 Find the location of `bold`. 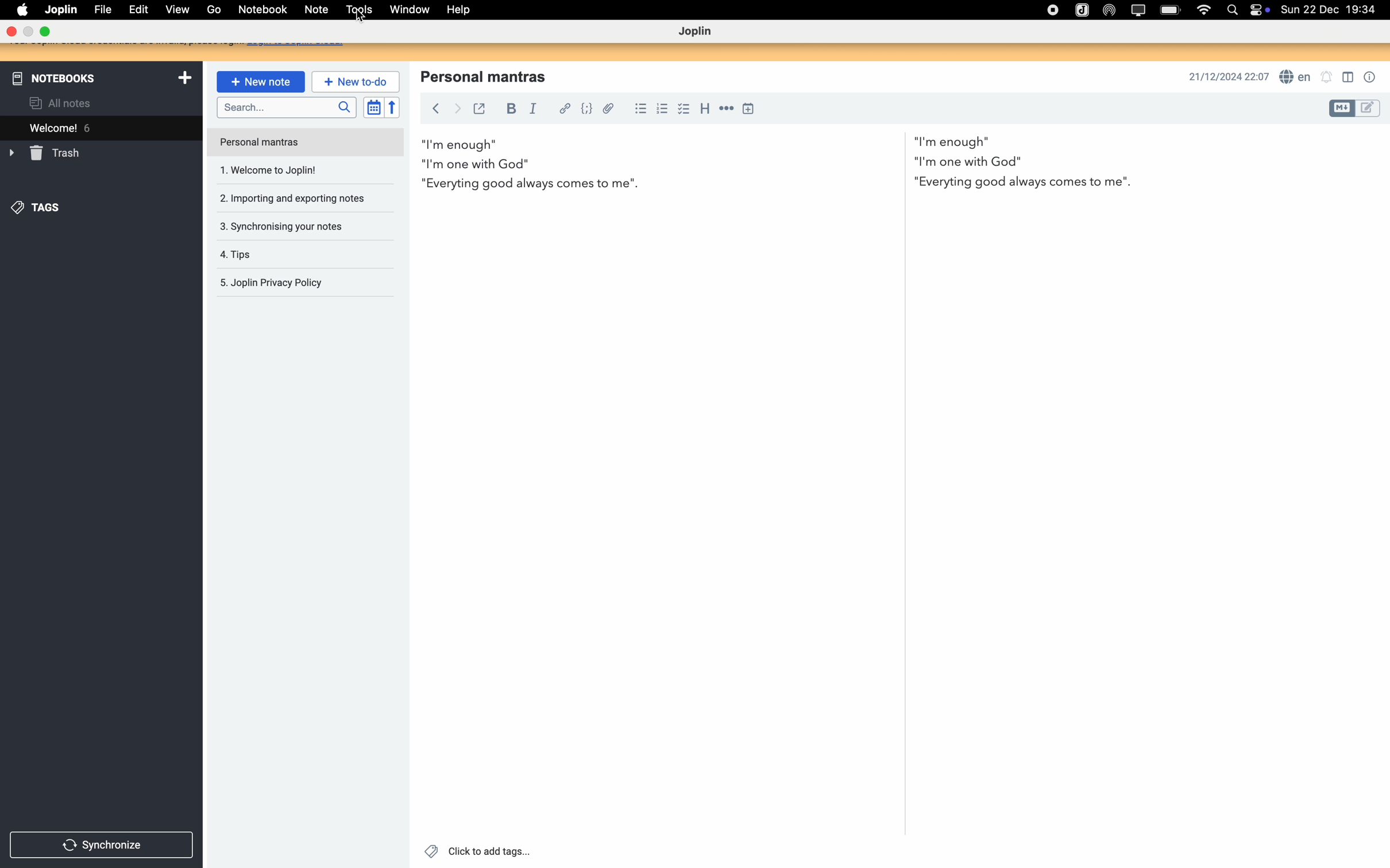

bold is located at coordinates (510, 108).